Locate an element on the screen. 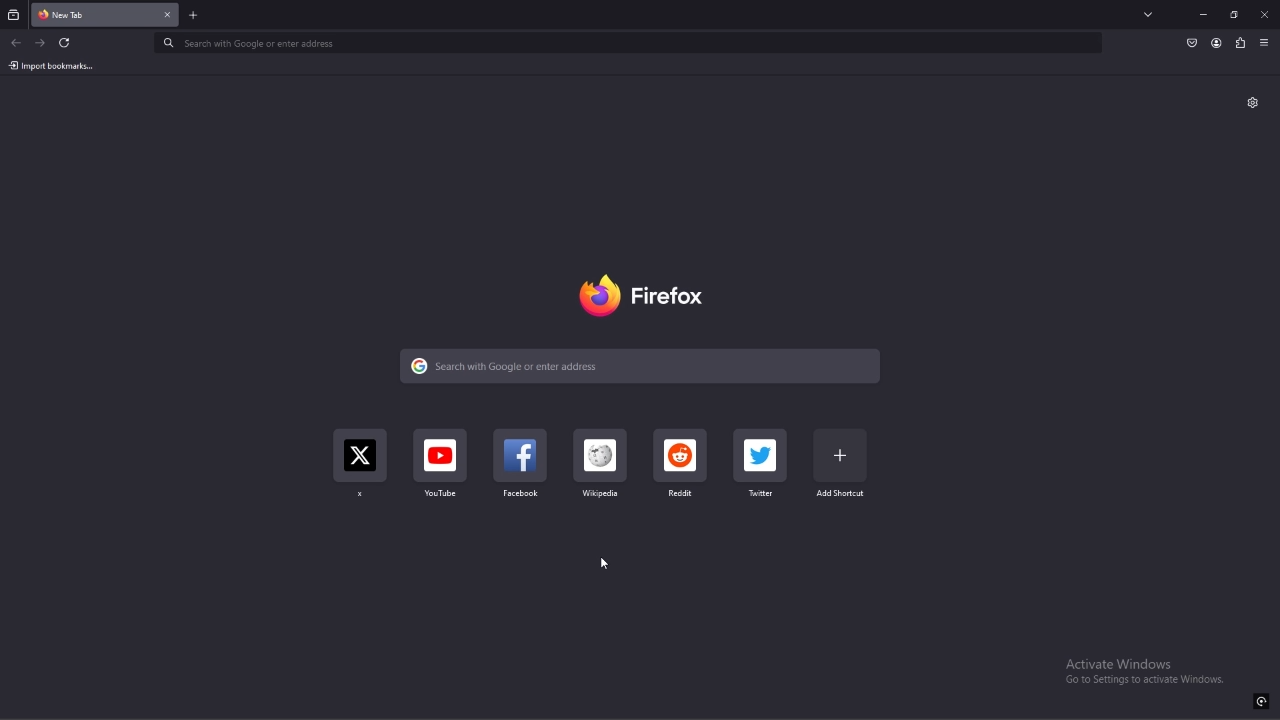  icon is located at coordinates (1261, 701).